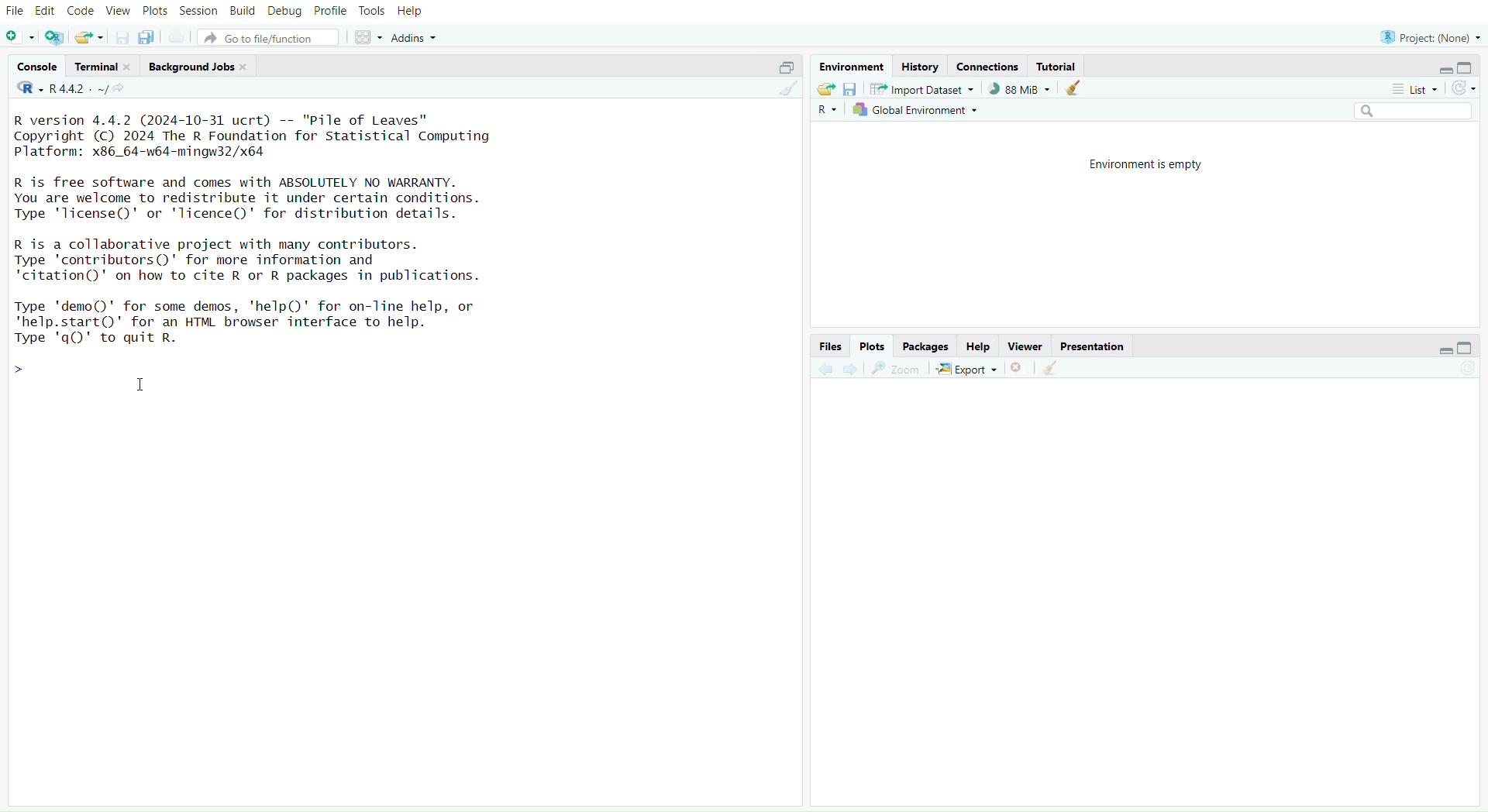 The image size is (1488, 812). Describe the element at coordinates (122, 89) in the screenshot. I see `view current working directory` at that location.